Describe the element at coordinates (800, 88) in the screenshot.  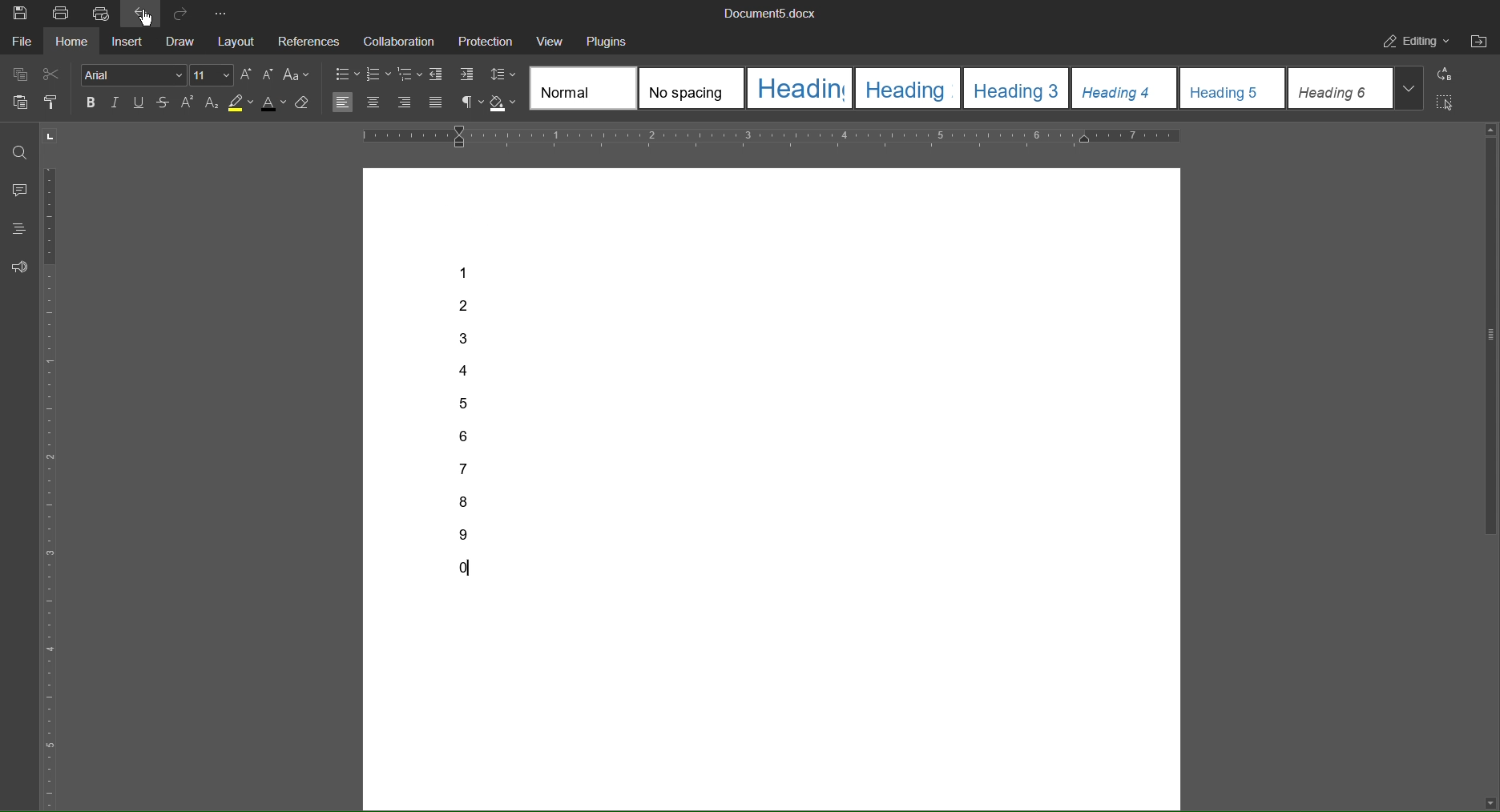
I see `template` at that location.